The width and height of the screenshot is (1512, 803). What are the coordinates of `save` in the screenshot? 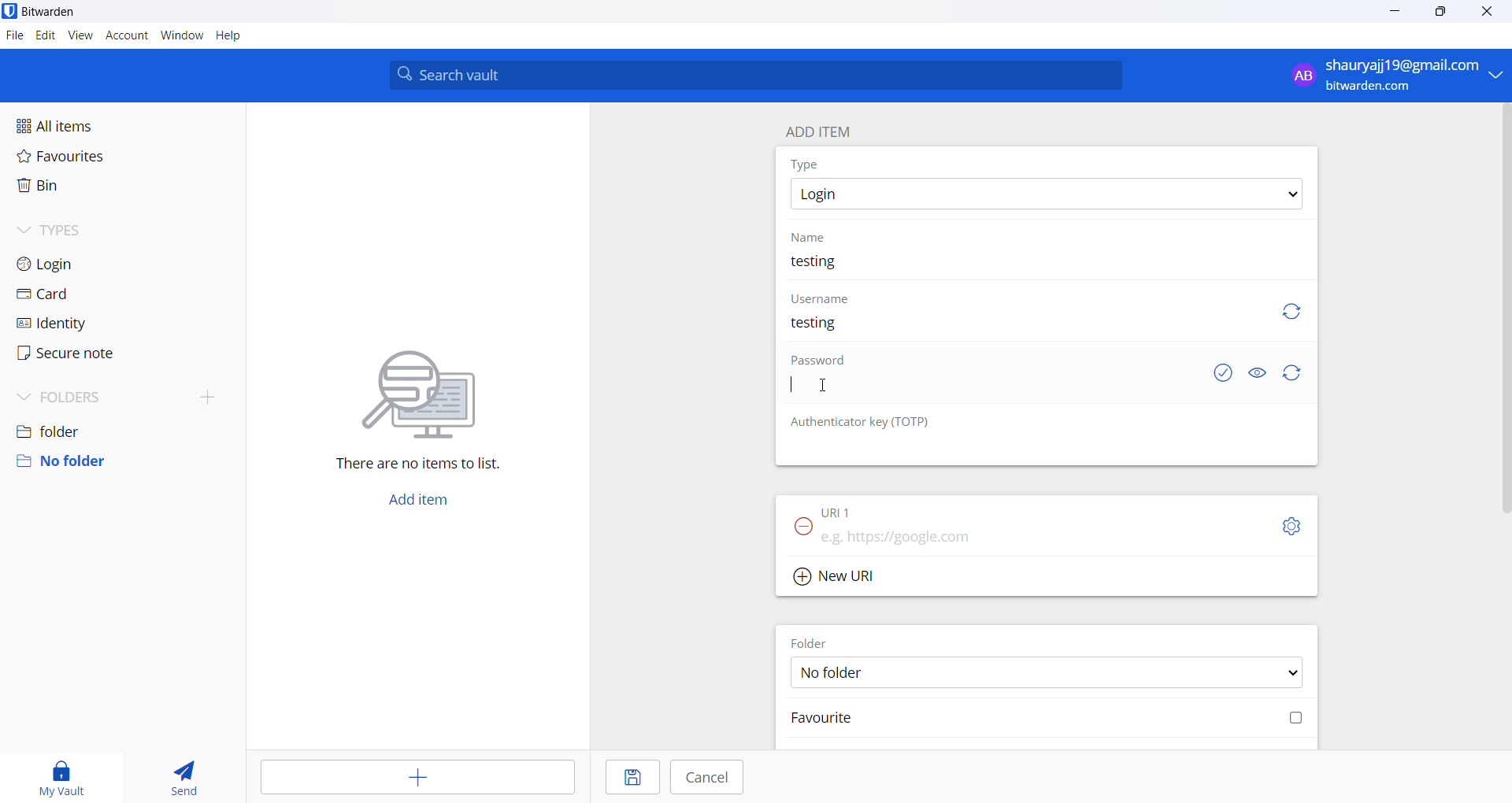 It's located at (631, 776).